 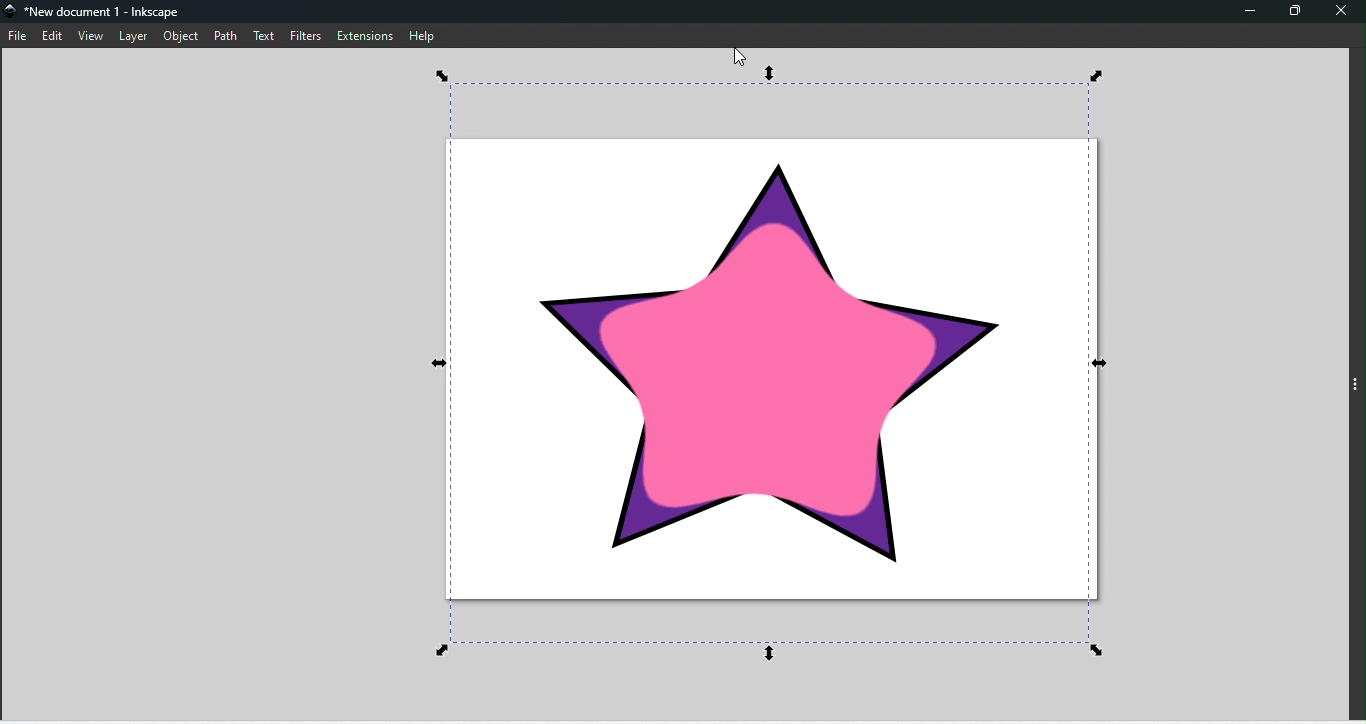 I want to click on cursor, so click(x=739, y=53).